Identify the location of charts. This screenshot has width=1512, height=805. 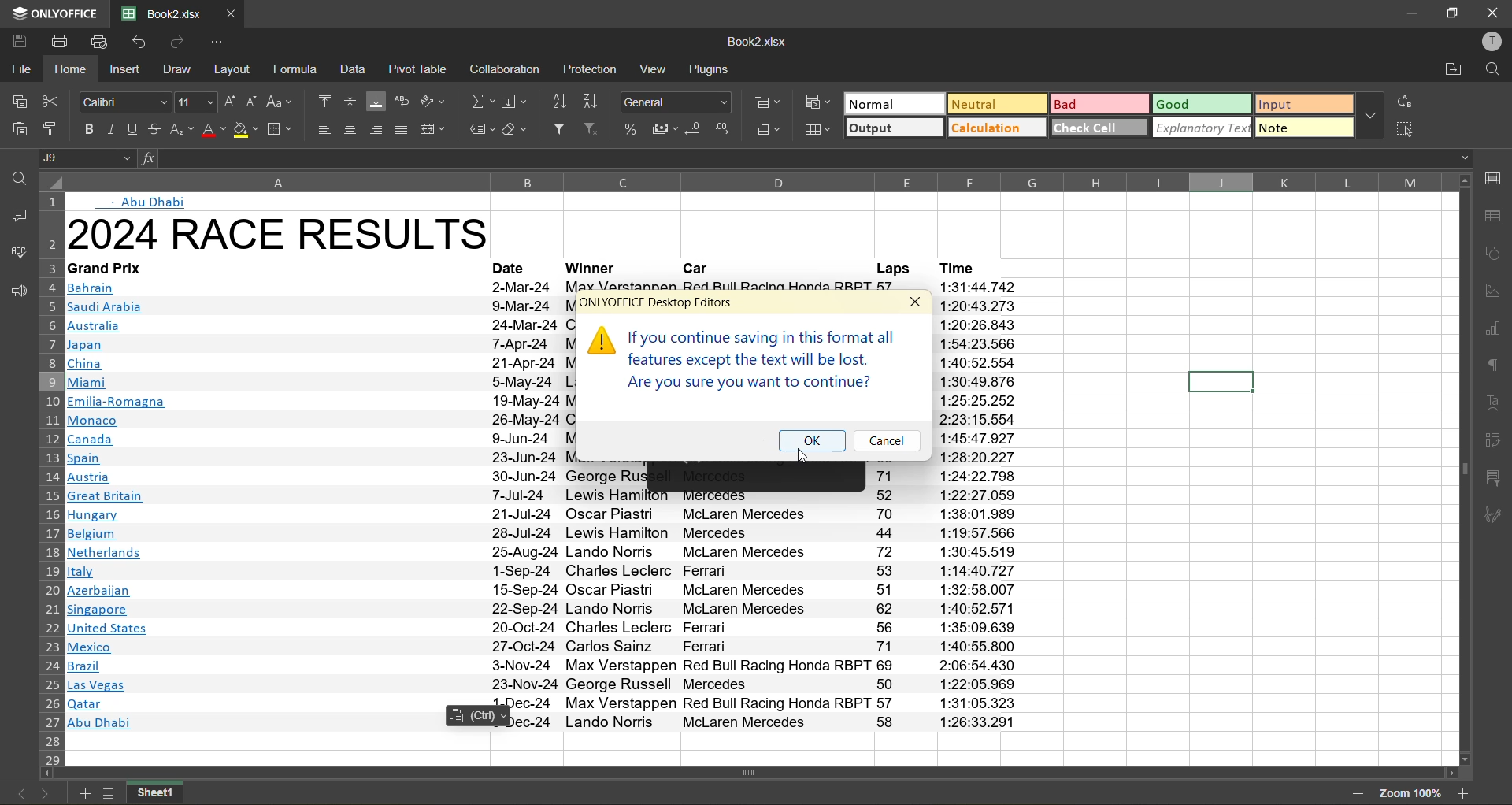
(1492, 331).